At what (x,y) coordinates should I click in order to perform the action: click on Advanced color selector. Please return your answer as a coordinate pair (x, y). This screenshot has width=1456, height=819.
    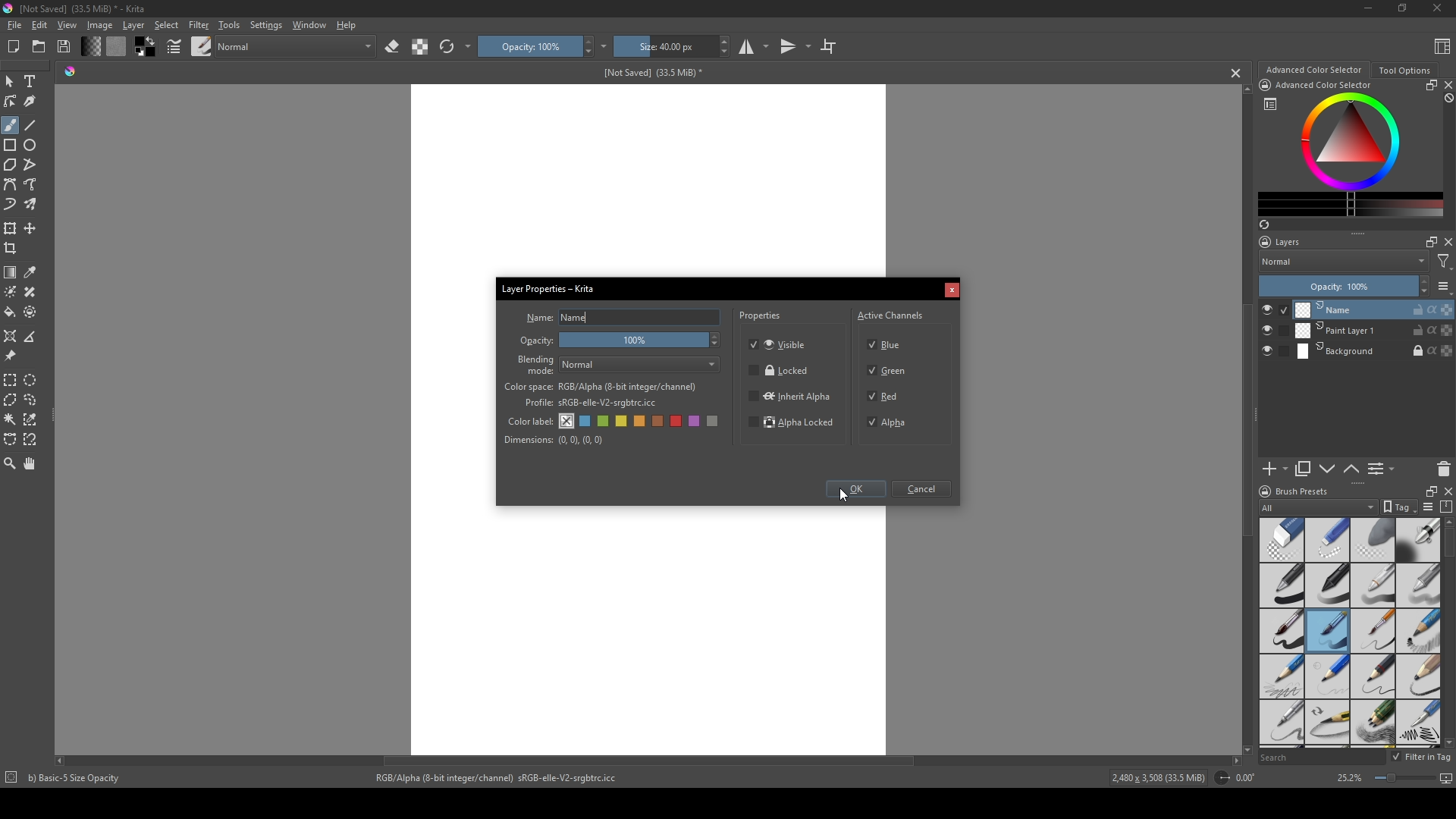
    Looking at the image, I should click on (1313, 70).